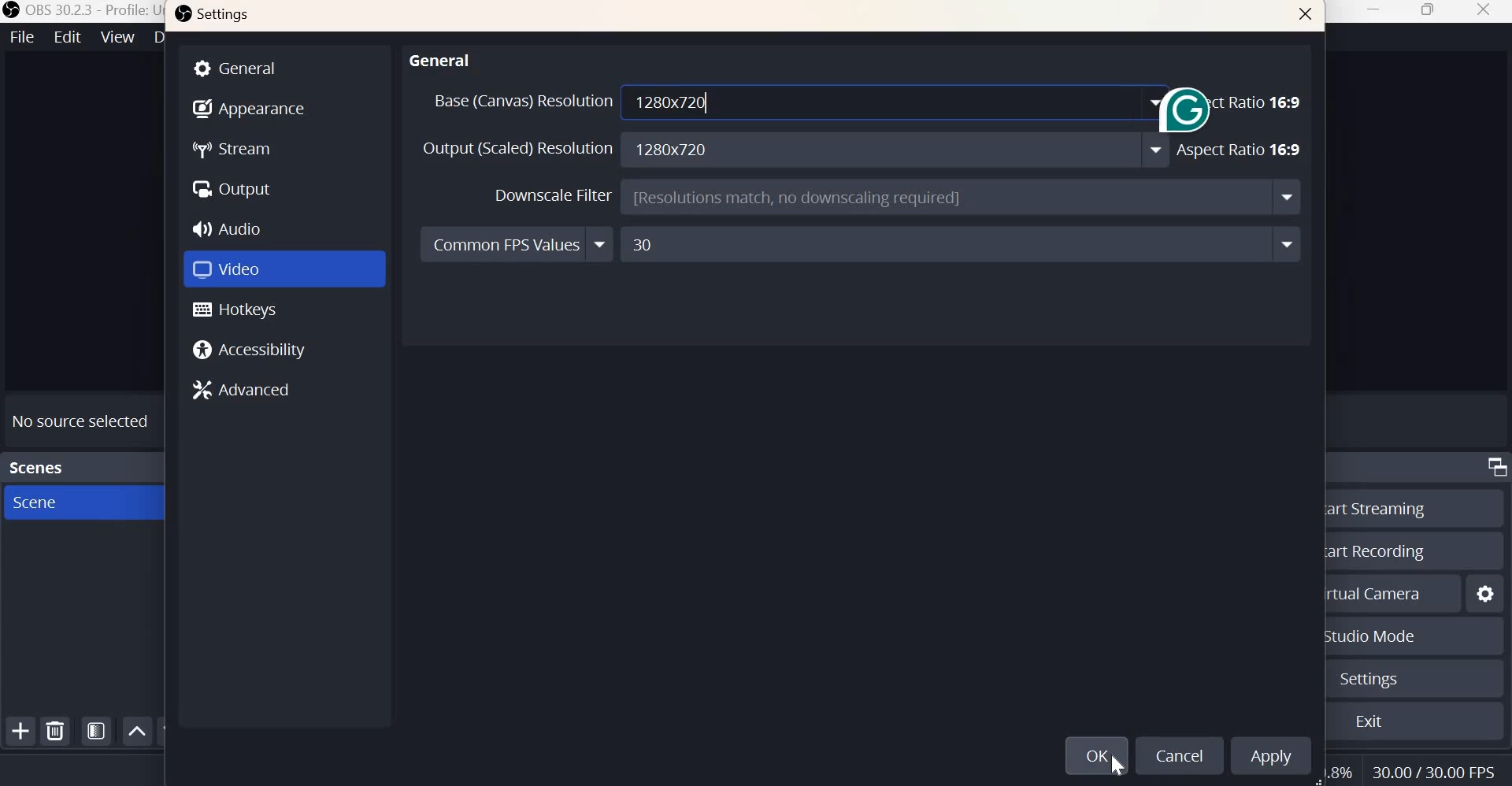 Image resolution: width=1512 pixels, height=786 pixels. Describe the element at coordinates (899, 150) in the screenshot. I see `1280*720` at that location.